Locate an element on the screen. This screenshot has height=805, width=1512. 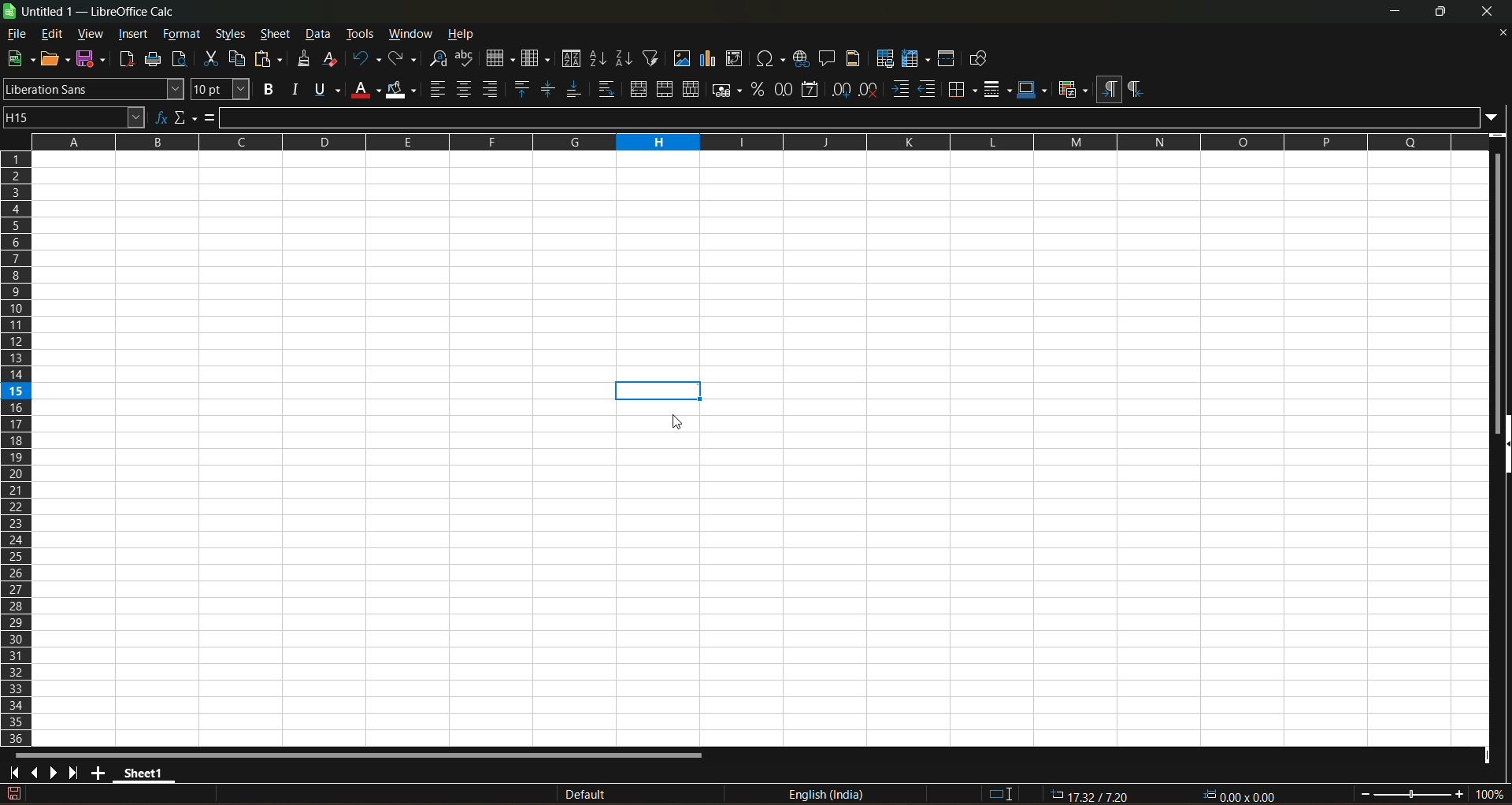
define print area is located at coordinates (886, 58).